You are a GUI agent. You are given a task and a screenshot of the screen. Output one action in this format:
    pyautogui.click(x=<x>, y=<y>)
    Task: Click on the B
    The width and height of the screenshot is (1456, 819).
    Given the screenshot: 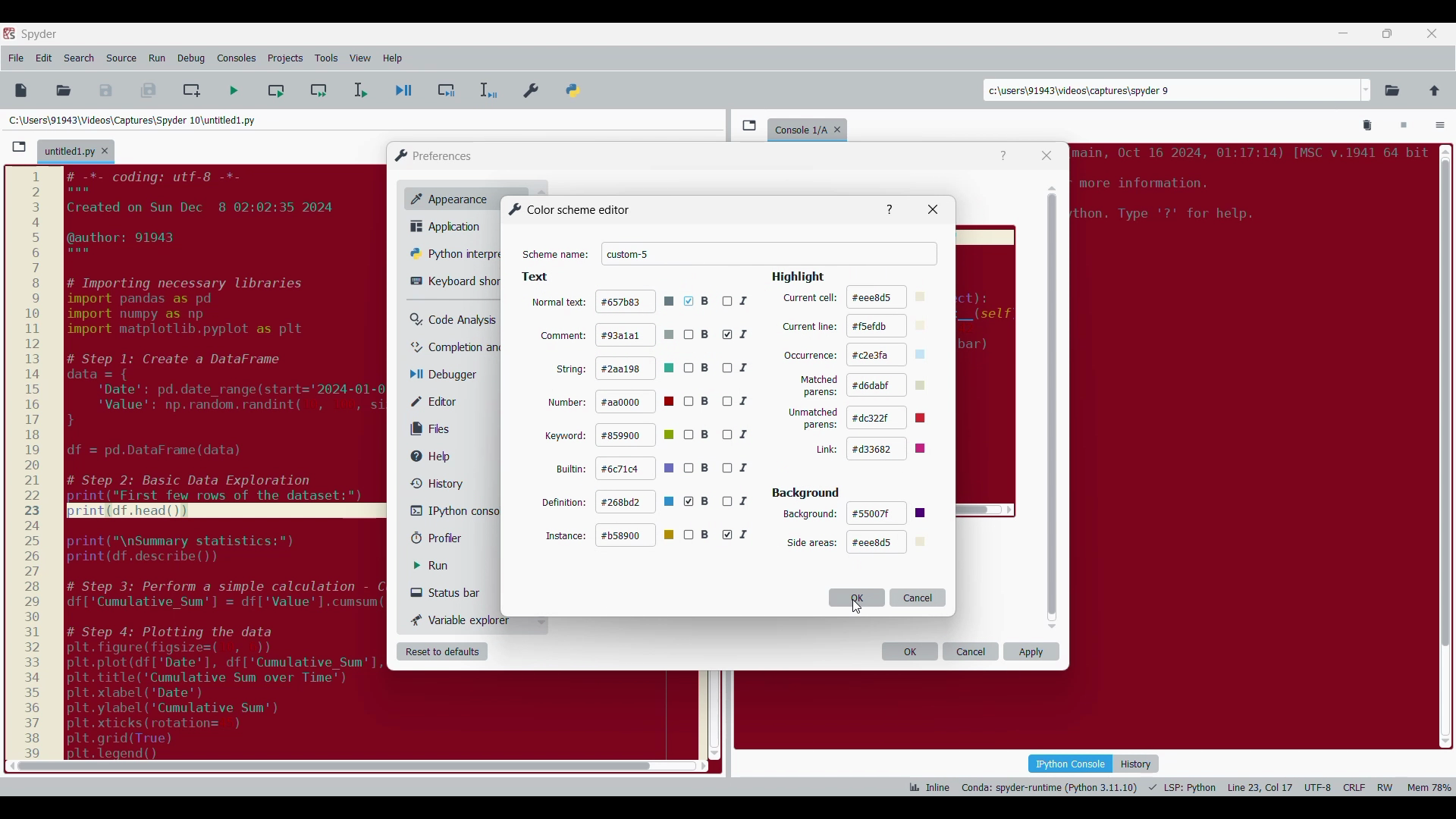 What is the action you would take?
    pyautogui.click(x=699, y=335)
    